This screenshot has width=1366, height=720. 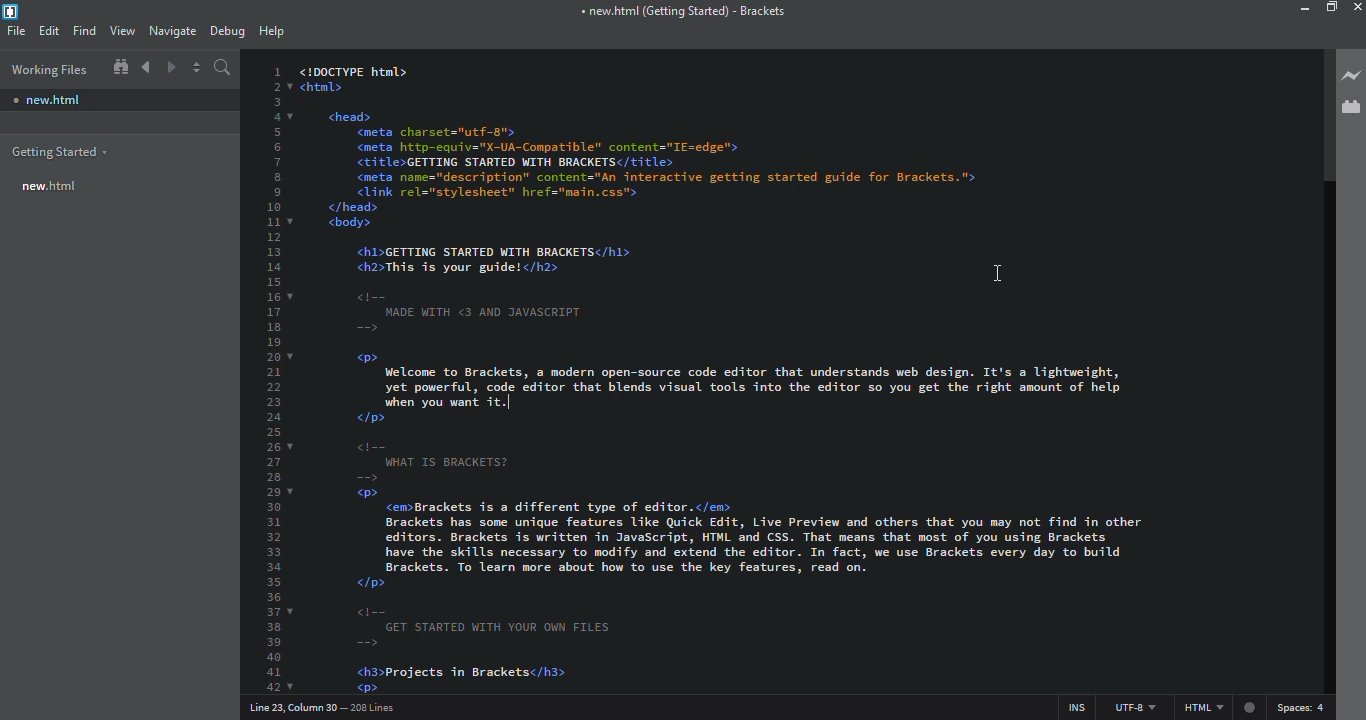 I want to click on show in file tree, so click(x=120, y=67).